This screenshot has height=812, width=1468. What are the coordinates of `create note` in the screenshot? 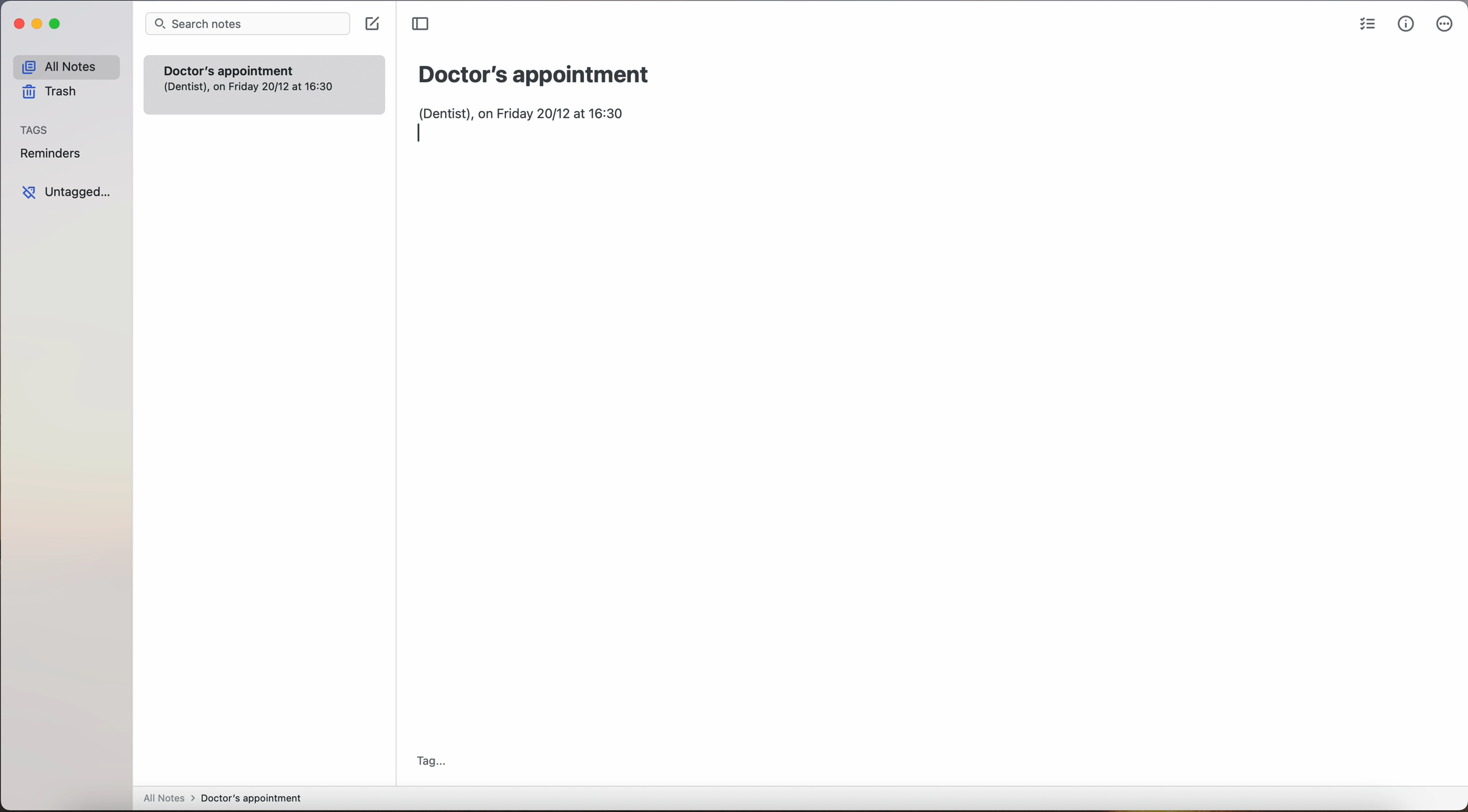 It's located at (372, 24).